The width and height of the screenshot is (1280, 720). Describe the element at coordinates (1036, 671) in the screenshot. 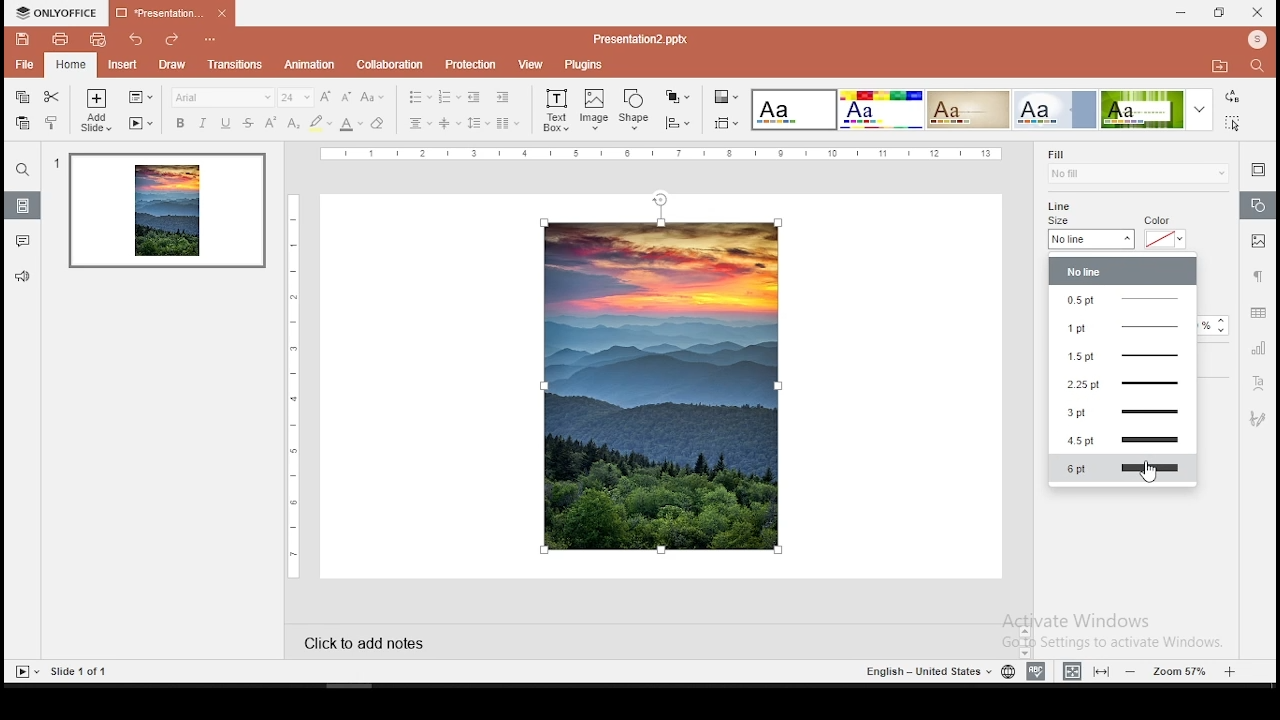

I see `spell check` at that location.